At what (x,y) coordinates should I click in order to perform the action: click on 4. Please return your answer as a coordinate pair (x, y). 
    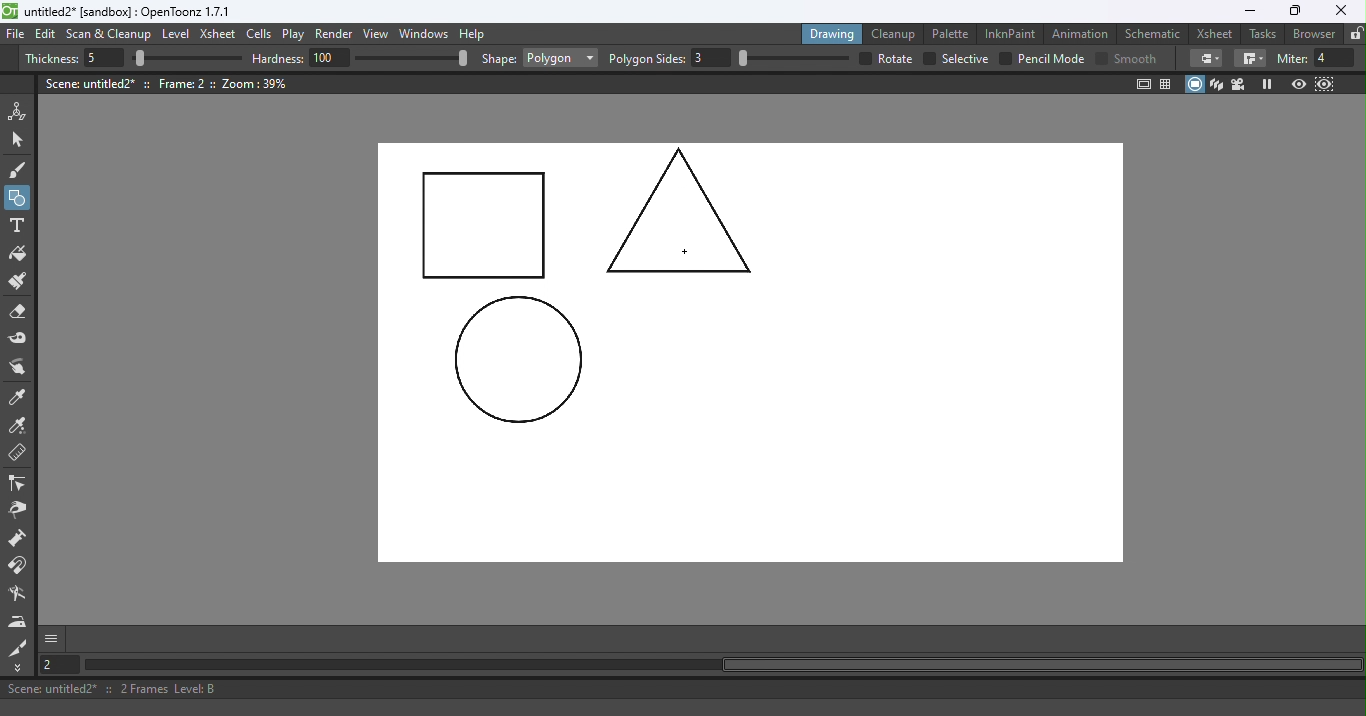
    Looking at the image, I should click on (1335, 58).